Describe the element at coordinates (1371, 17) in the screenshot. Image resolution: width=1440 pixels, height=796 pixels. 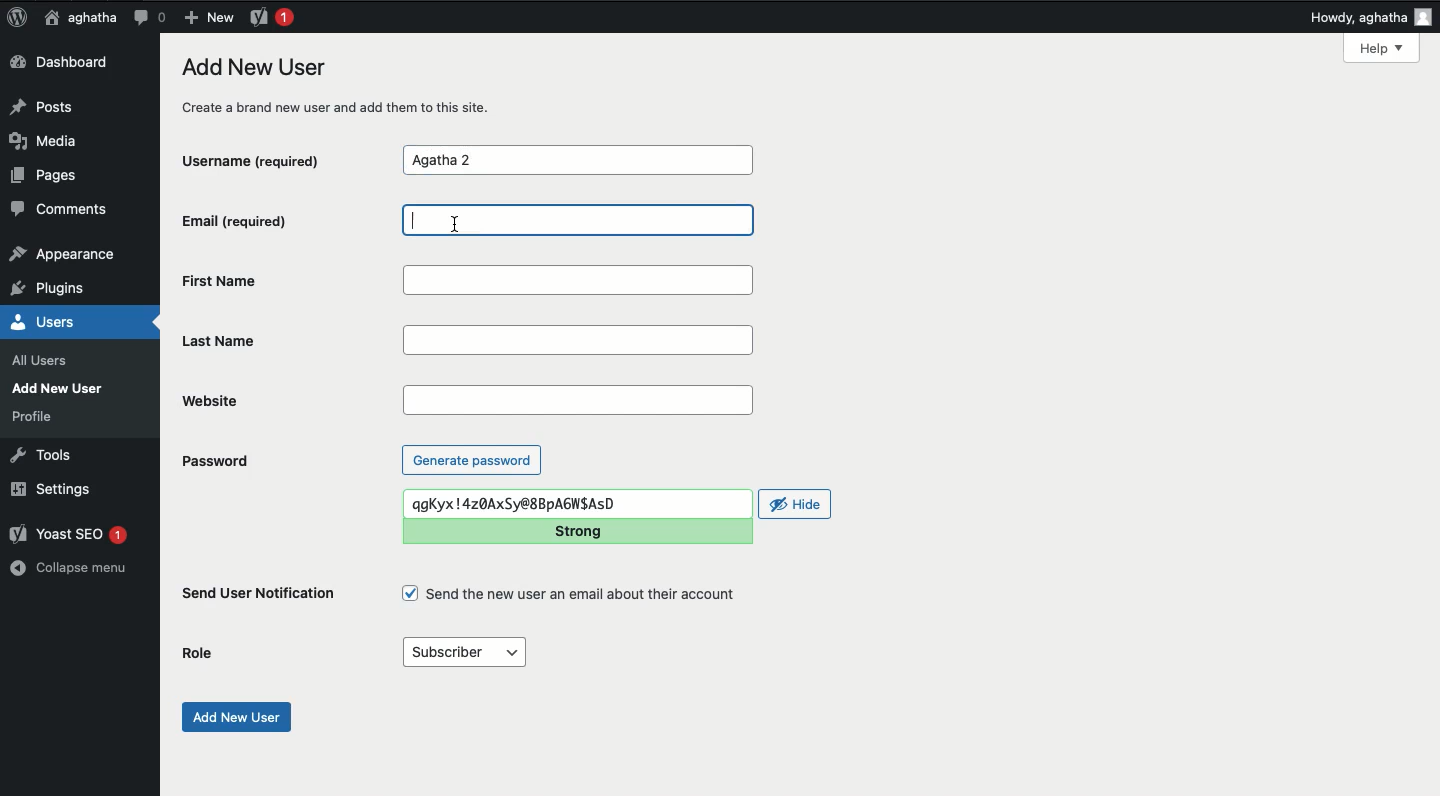
I see `Howdy, aghatha` at that location.